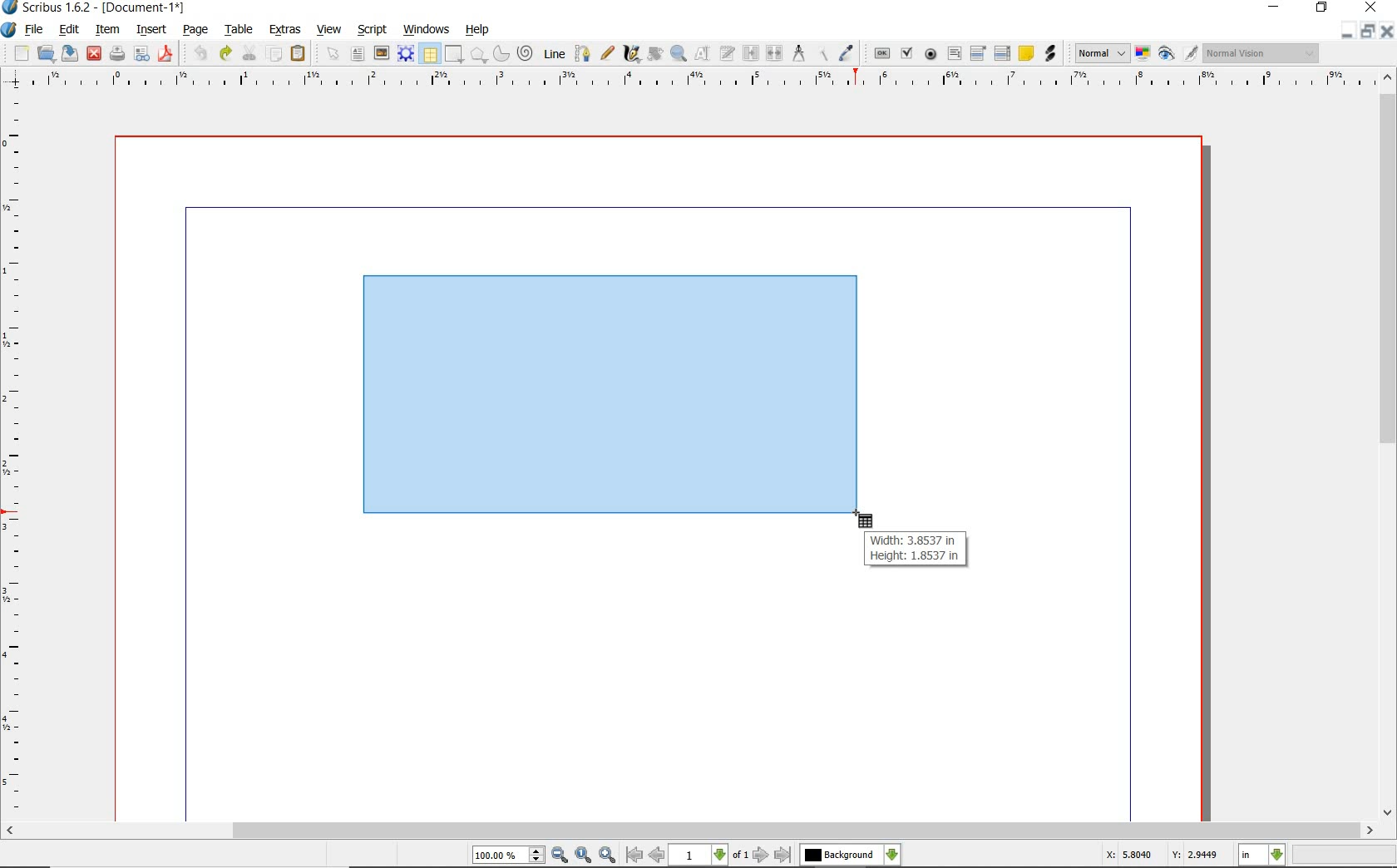  I want to click on image preview quality, so click(1101, 52).